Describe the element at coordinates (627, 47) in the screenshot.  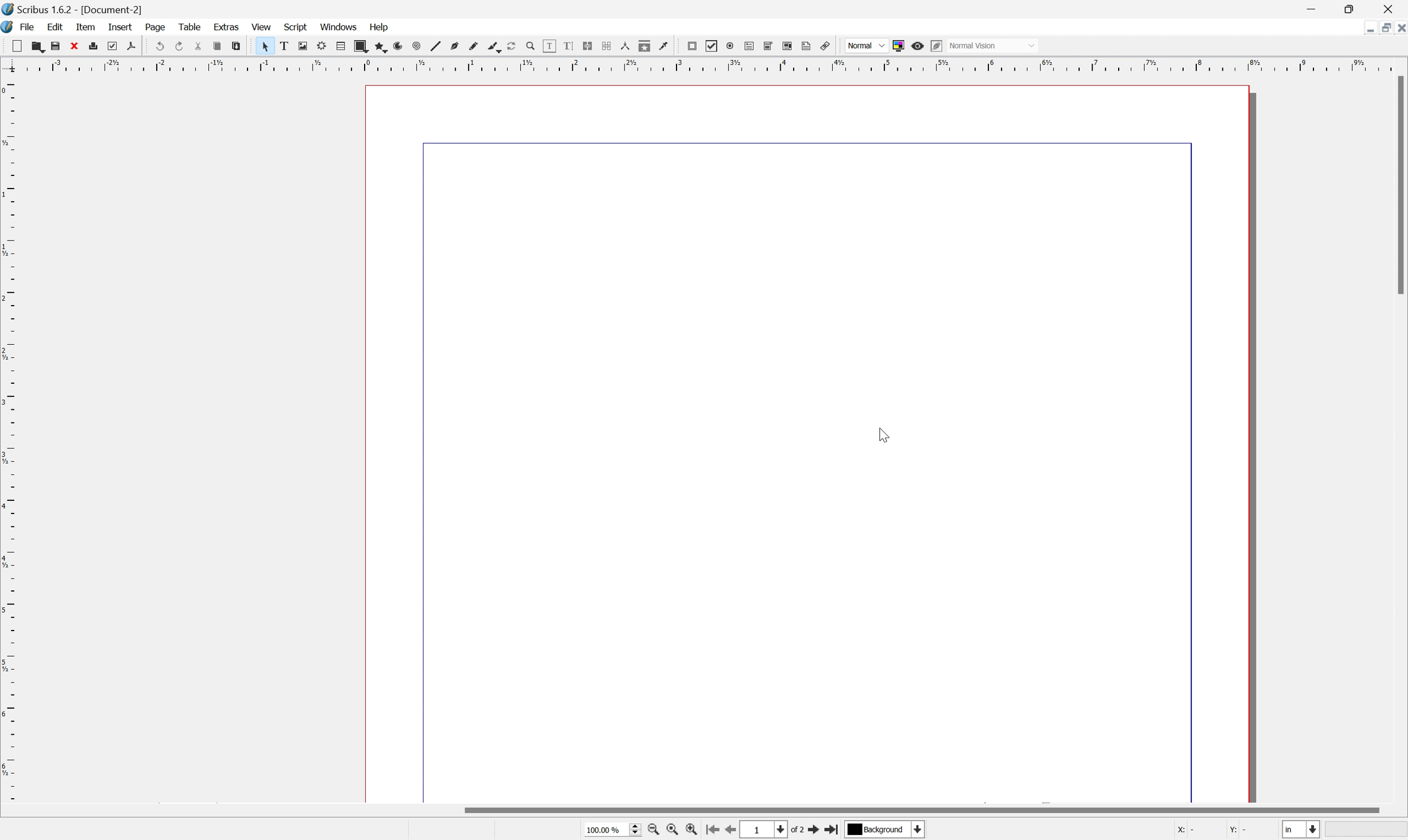
I see `Measurements` at that location.